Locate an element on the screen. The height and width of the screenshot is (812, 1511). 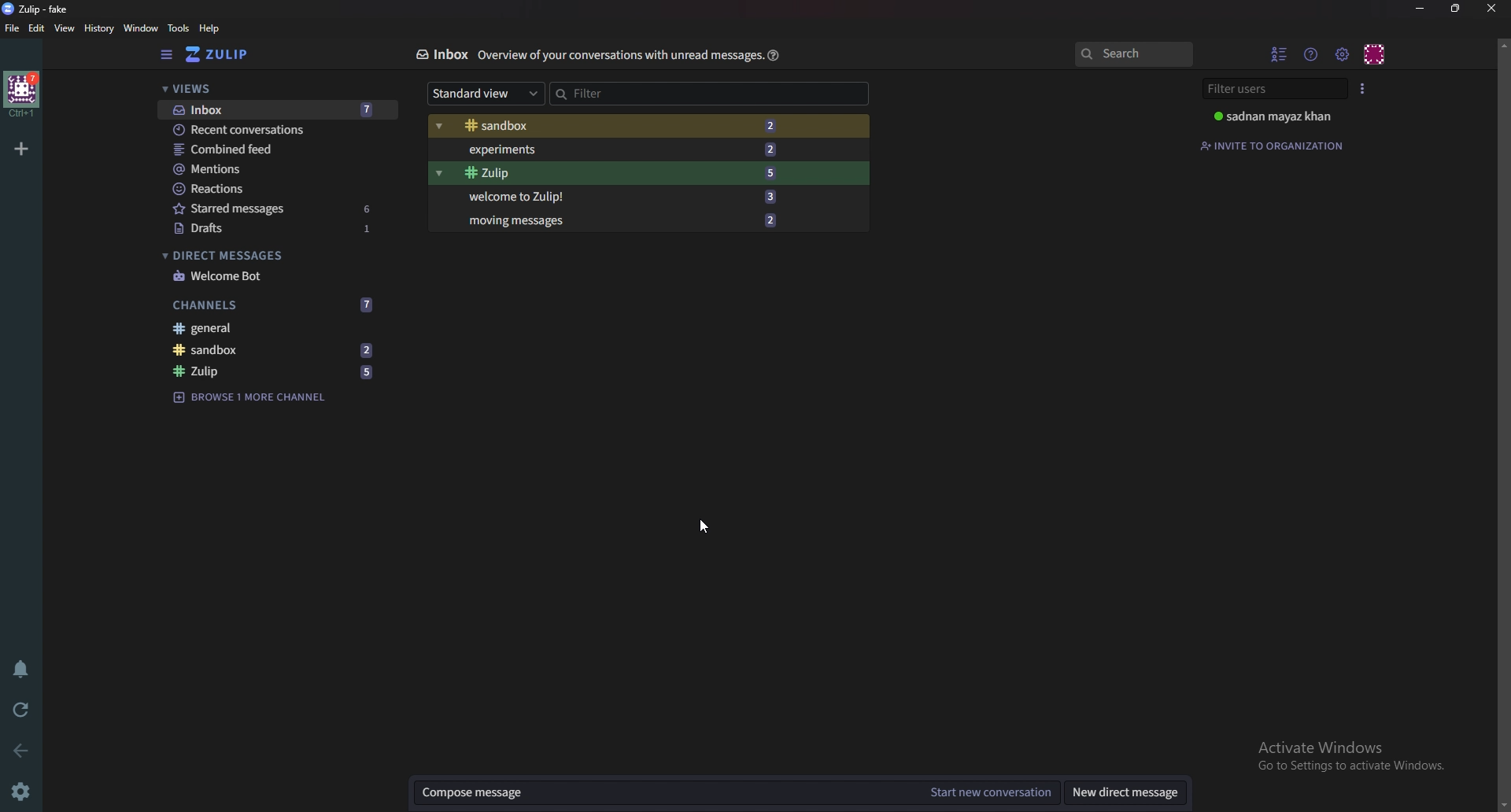
drafts is located at coordinates (278, 227).